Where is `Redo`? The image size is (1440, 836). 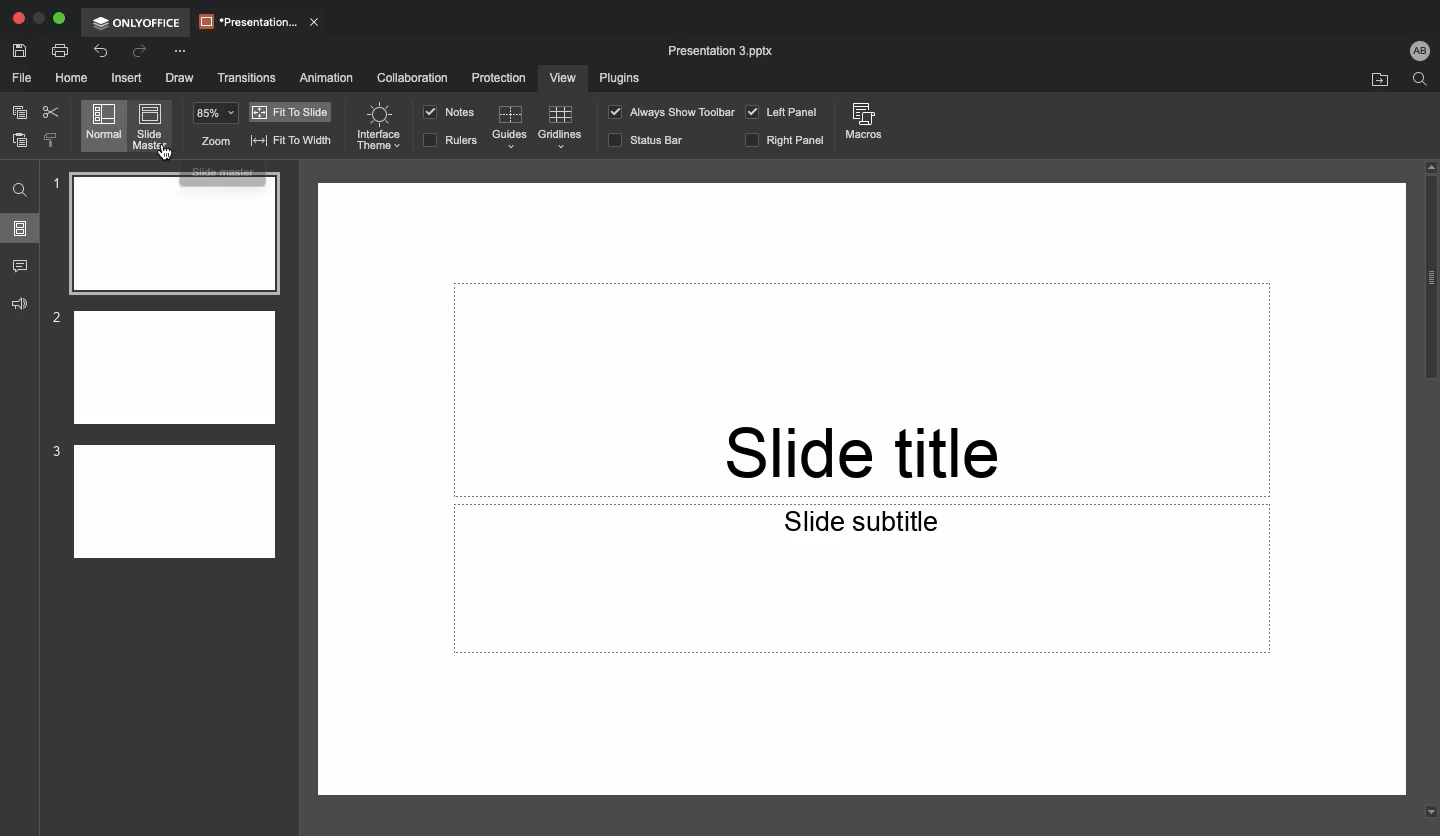 Redo is located at coordinates (137, 52).